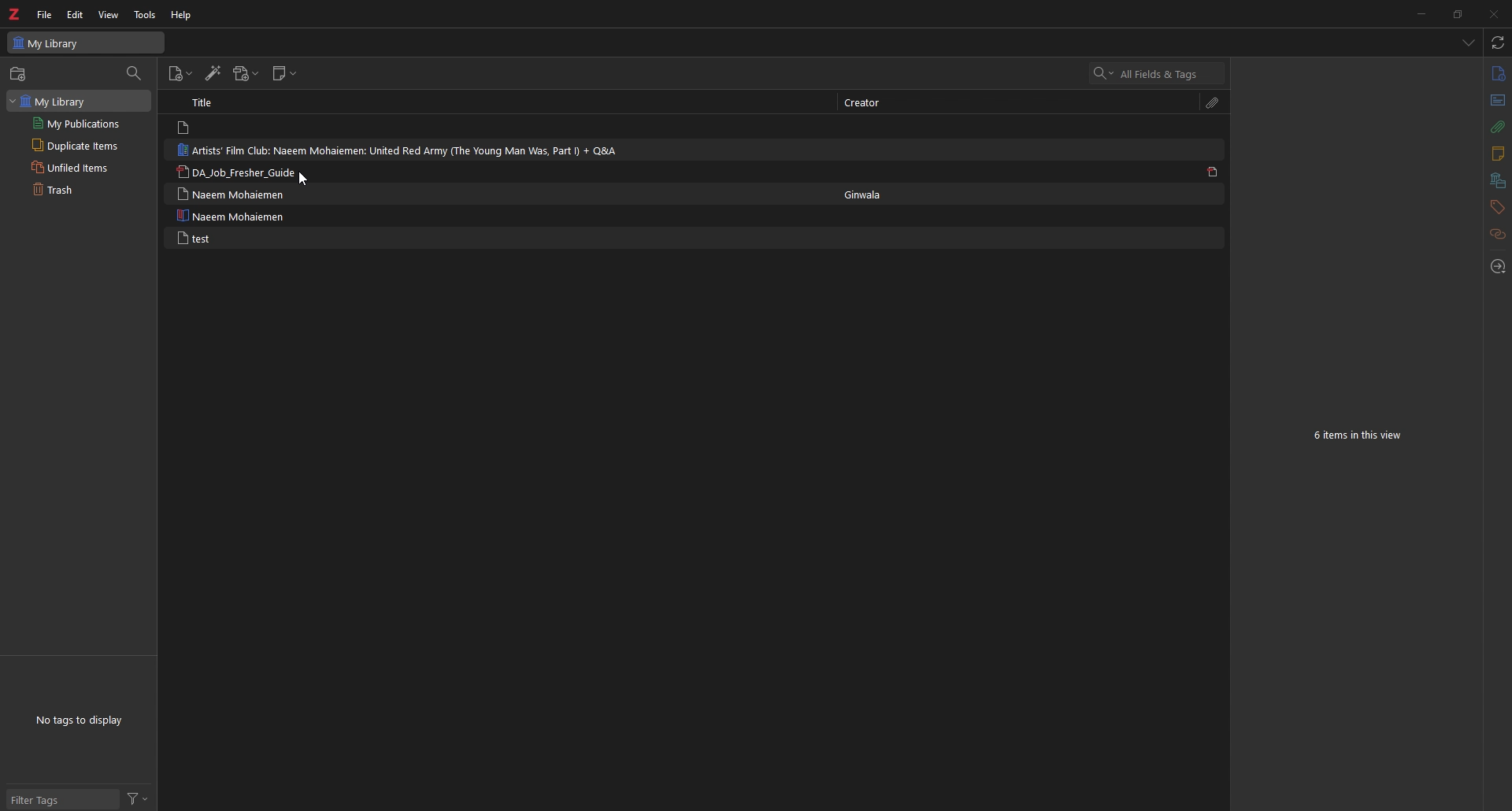  Describe the element at coordinates (205, 102) in the screenshot. I see `title` at that location.